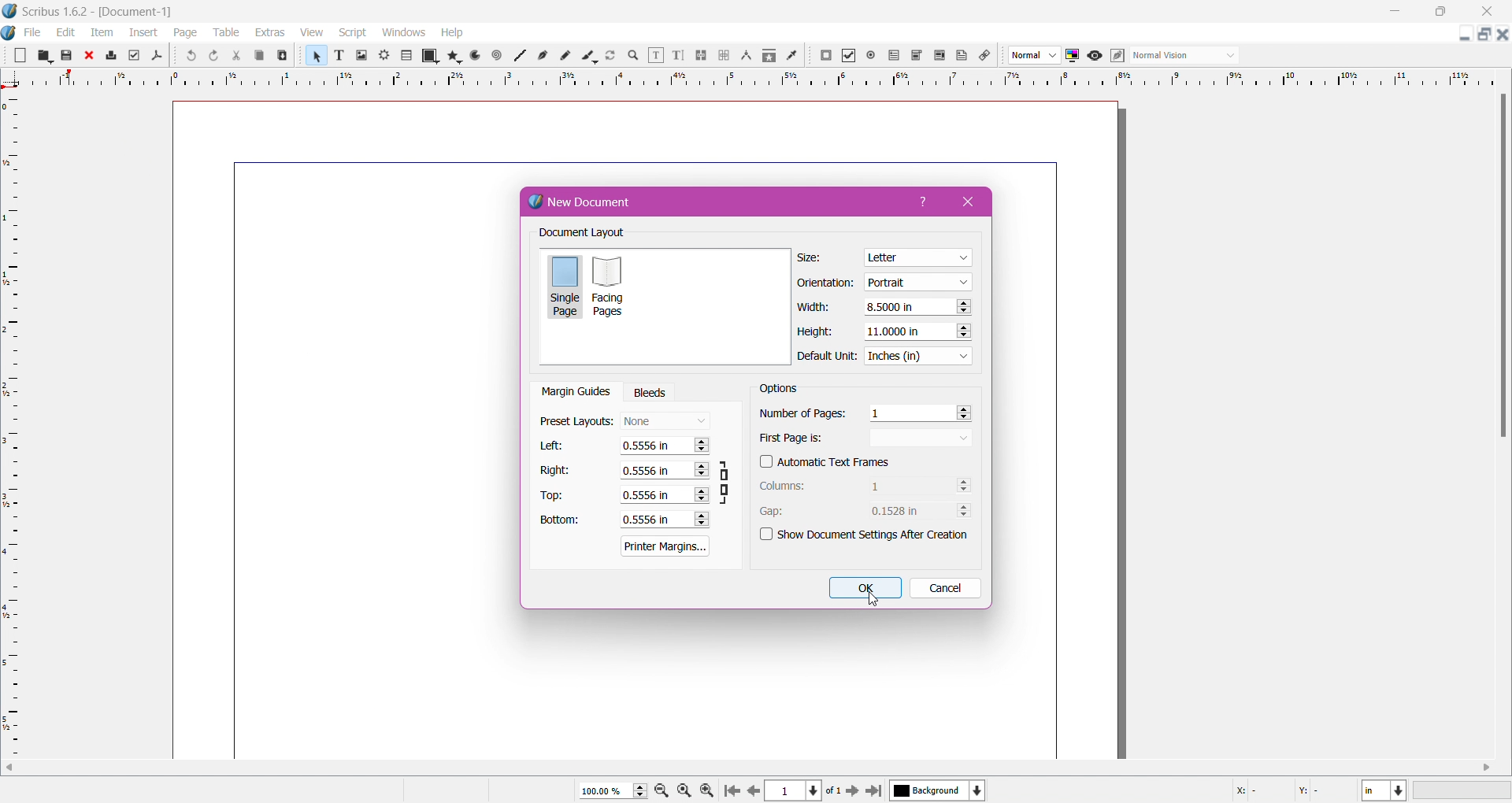  I want to click on icon, so click(1116, 56).